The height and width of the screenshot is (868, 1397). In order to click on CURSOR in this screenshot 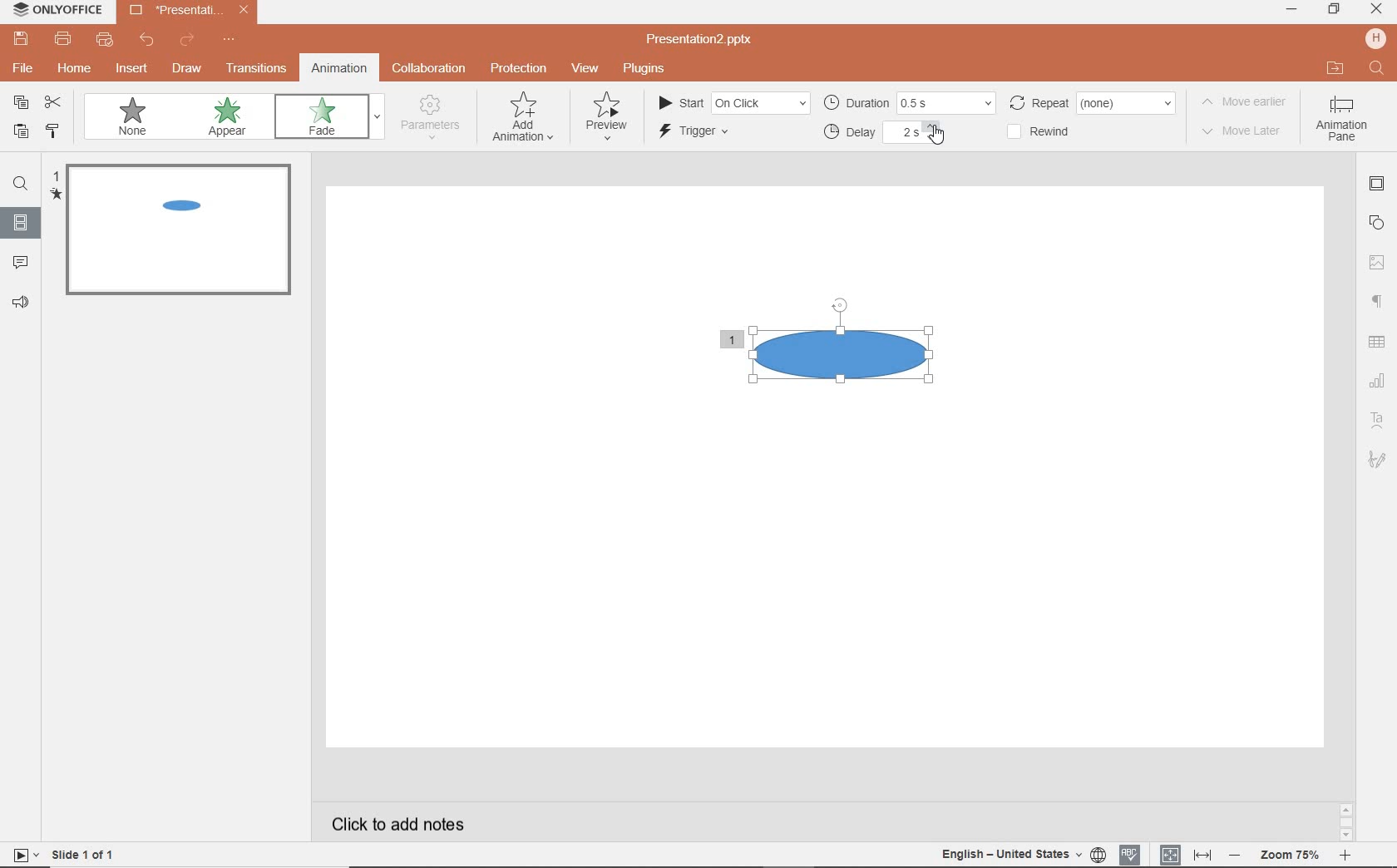, I will do `click(935, 135)`.